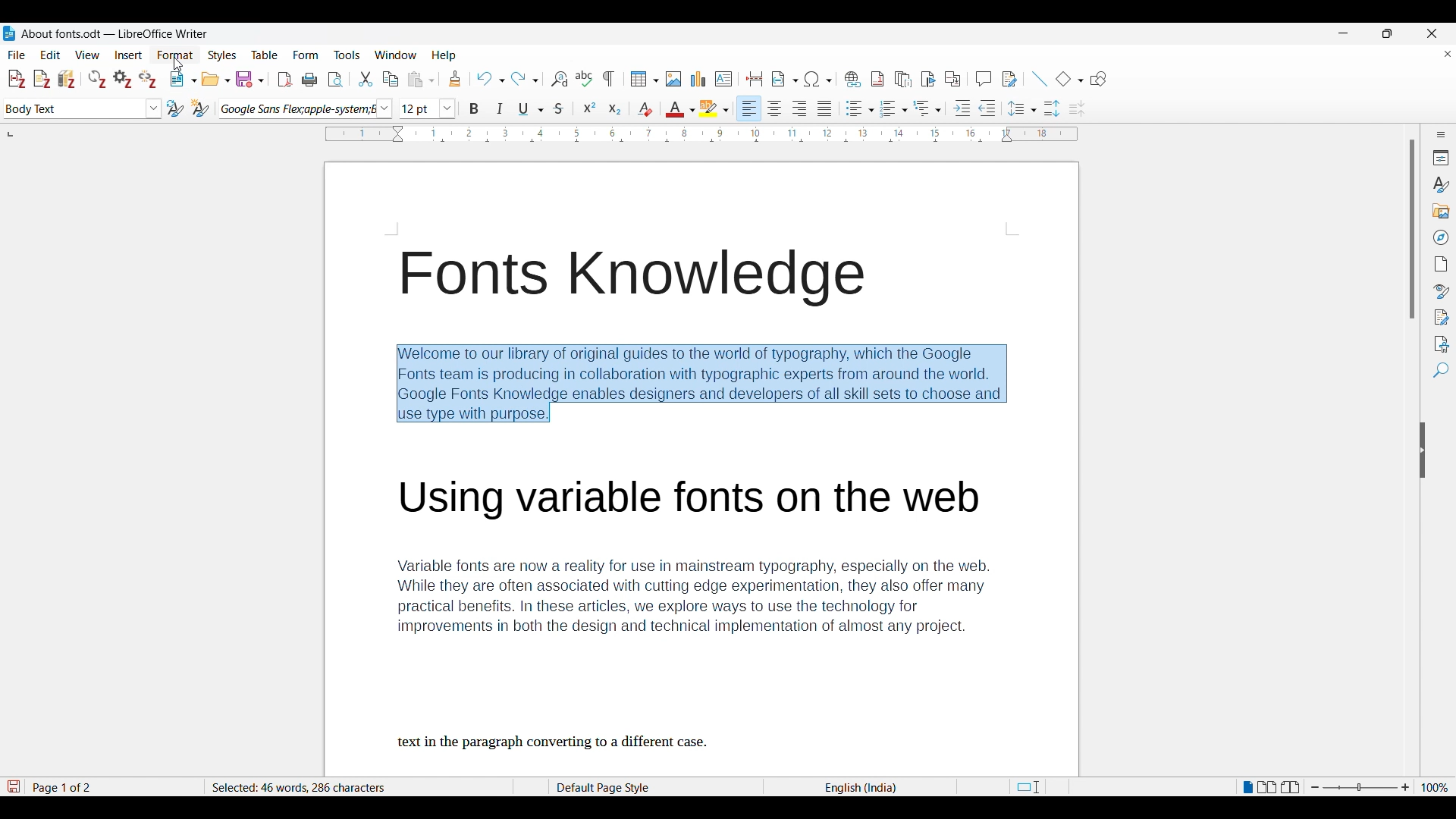 This screenshot has width=1456, height=819. Describe the element at coordinates (347, 55) in the screenshot. I see `Tools menu` at that location.